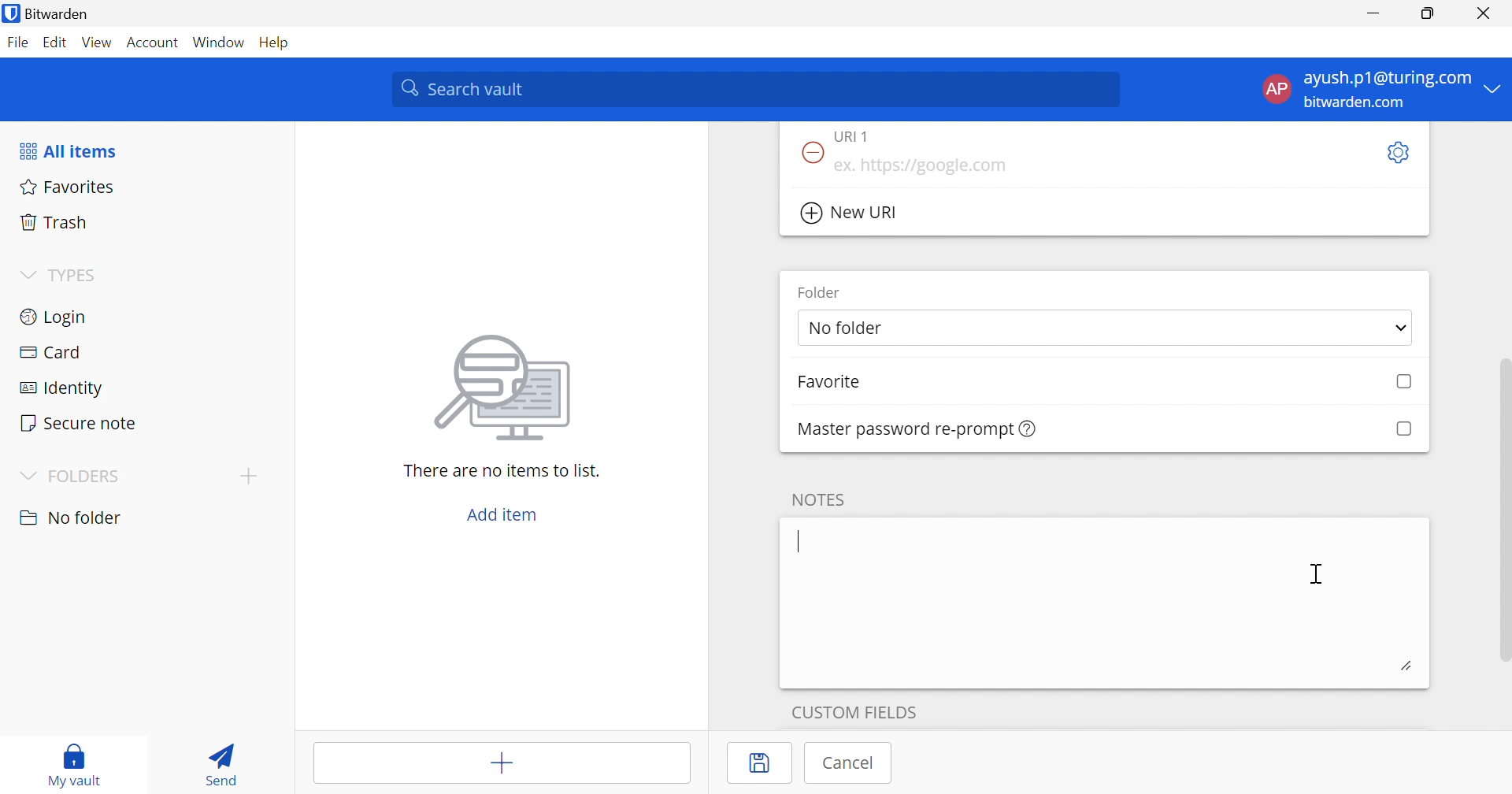  Describe the element at coordinates (54, 220) in the screenshot. I see `Trash` at that location.